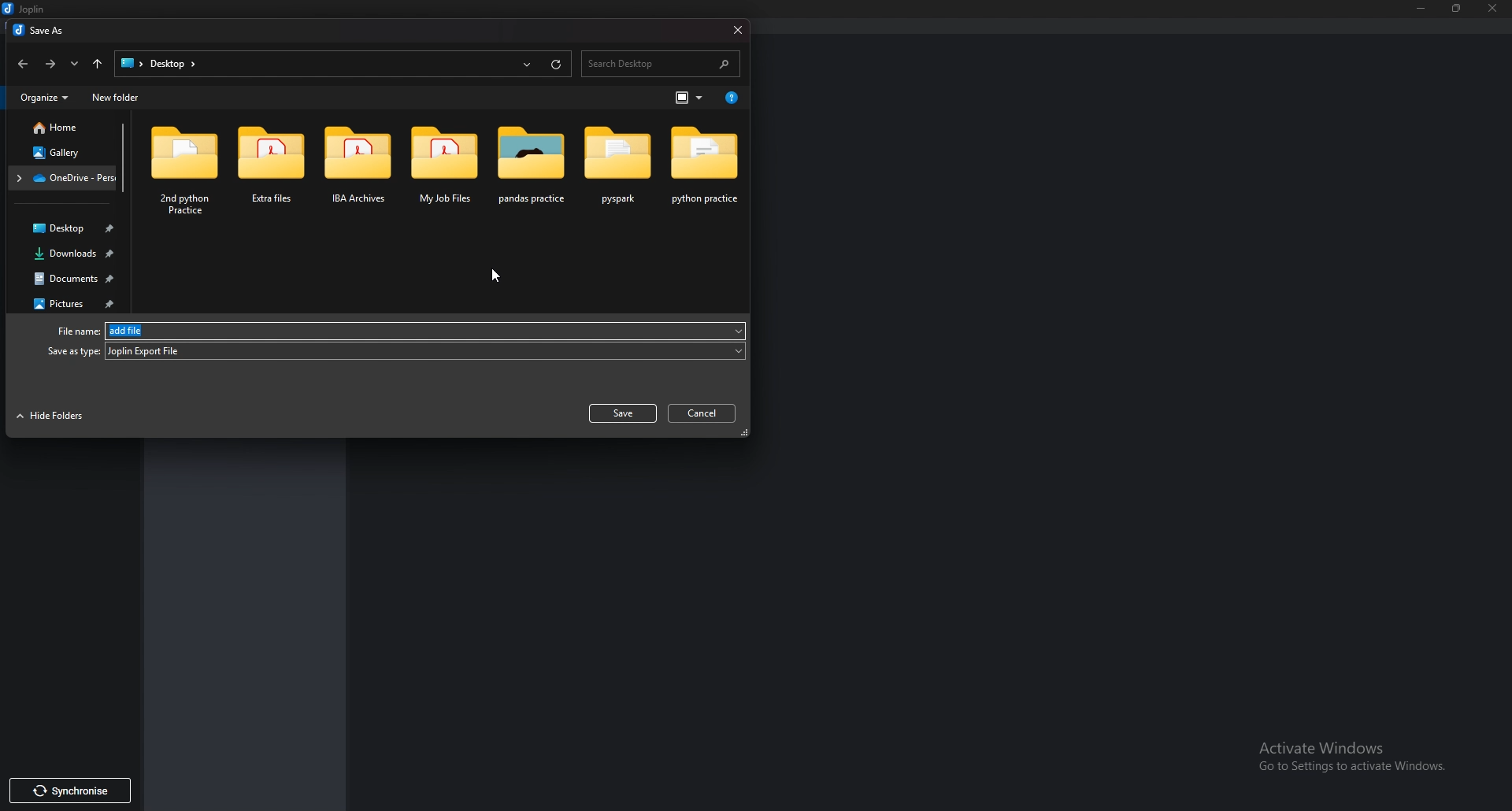  I want to click on folder, so click(360, 165).